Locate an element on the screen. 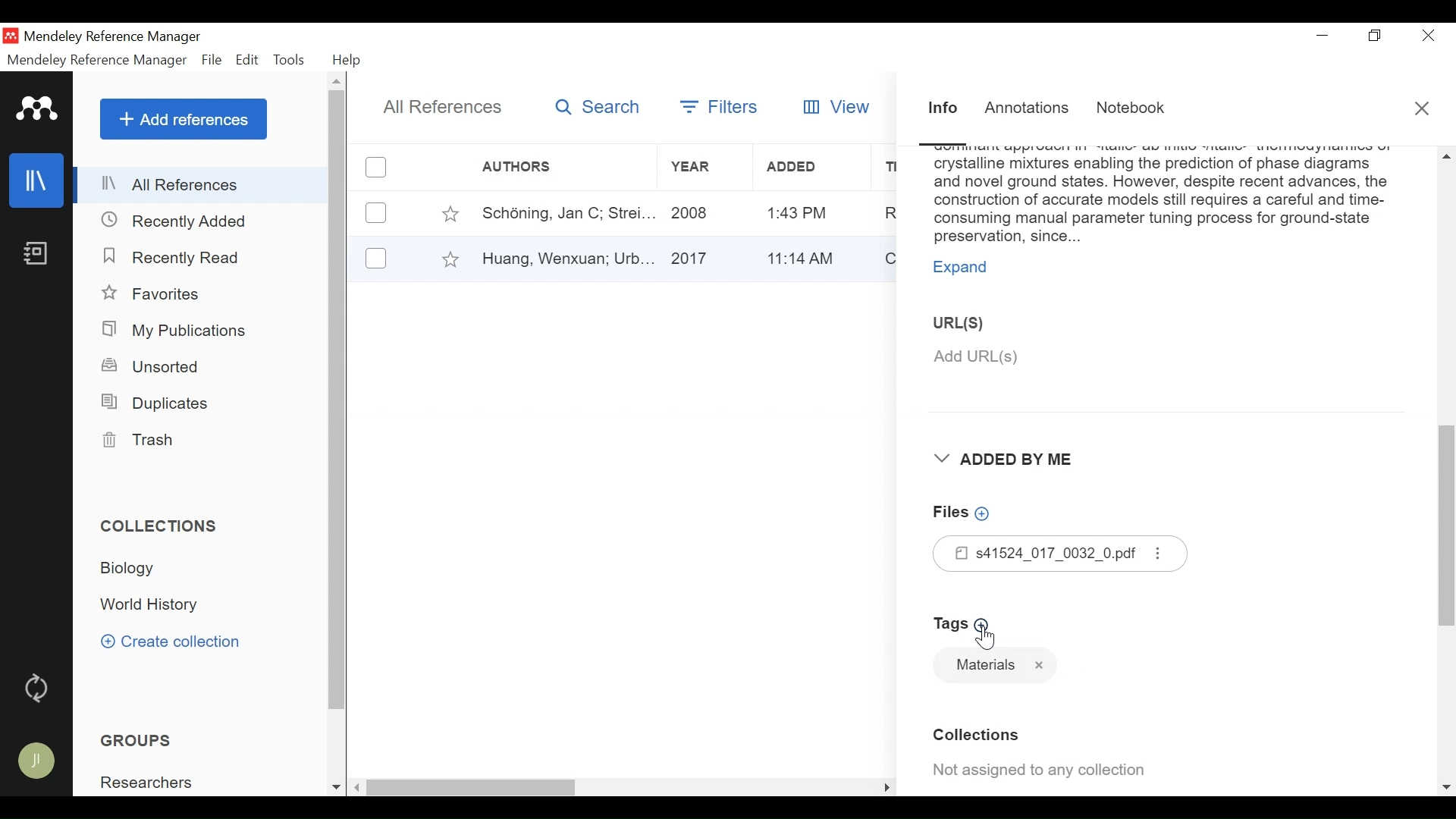 The image size is (1456, 819). Tag name is located at coordinates (1039, 667).